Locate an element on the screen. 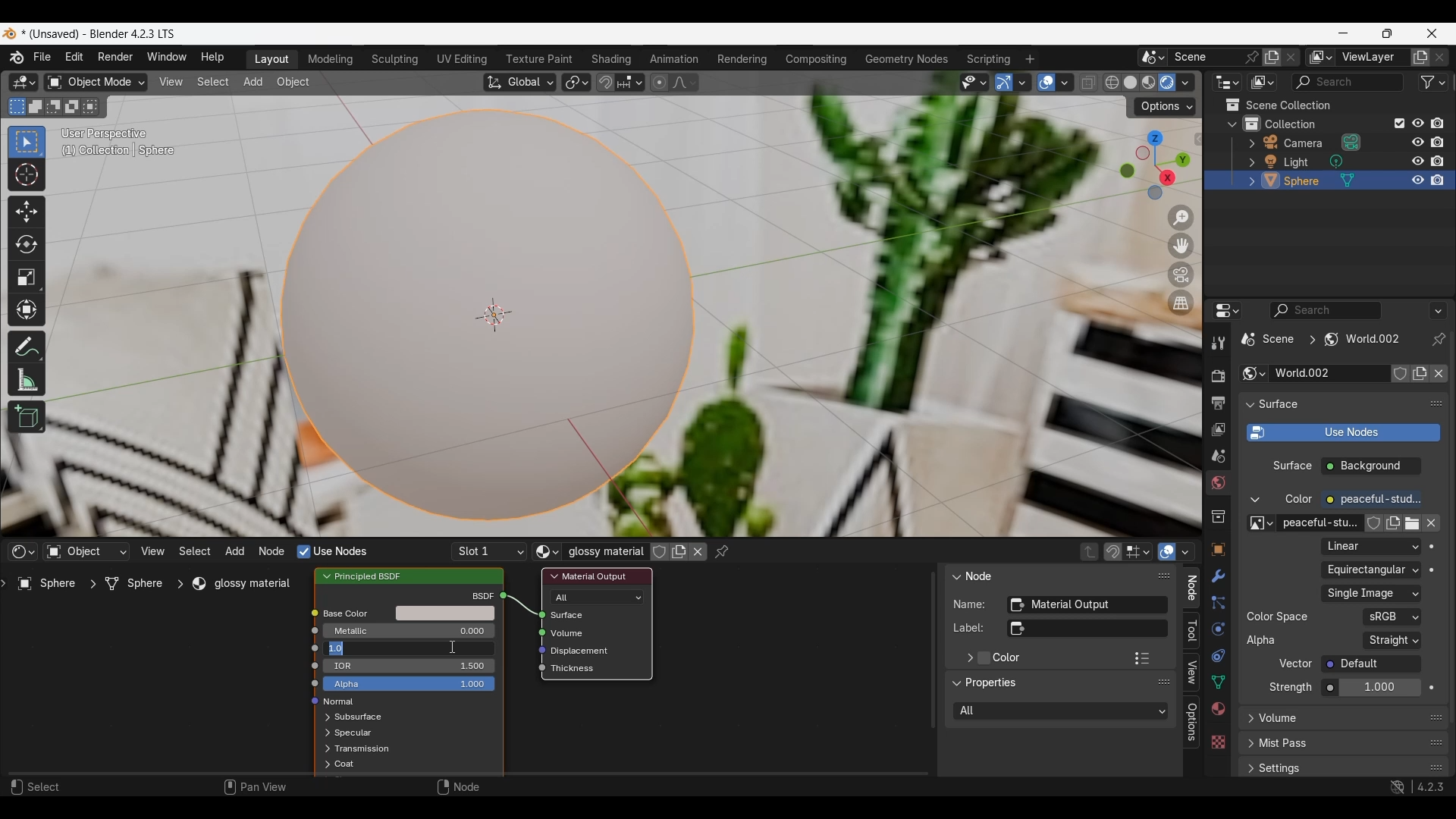 This screenshot has height=819, width=1456. Stop node element is located at coordinates (1137, 551).